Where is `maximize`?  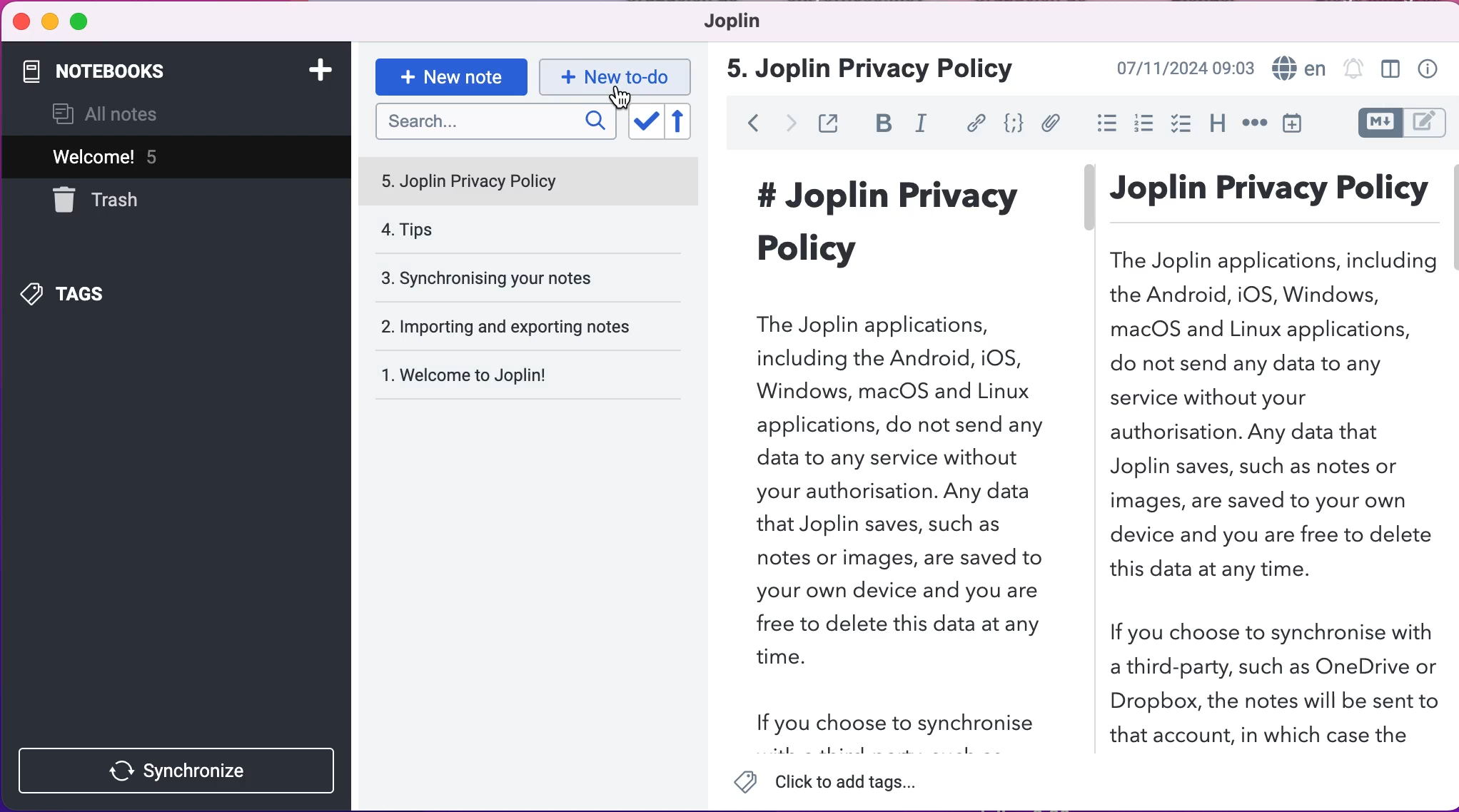
maximize is located at coordinates (85, 24).